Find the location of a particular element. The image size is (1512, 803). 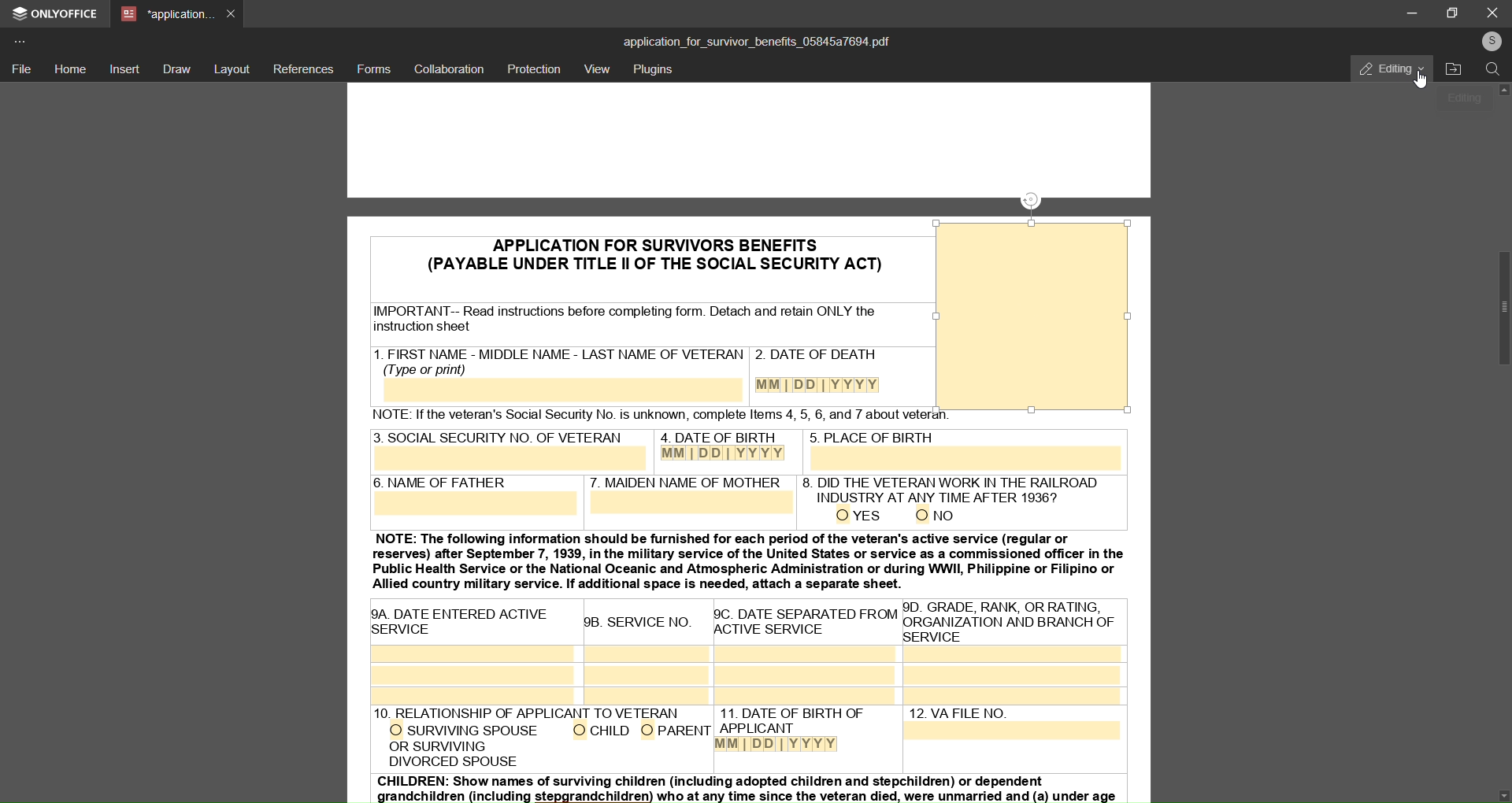

home is located at coordinates (71, 68).